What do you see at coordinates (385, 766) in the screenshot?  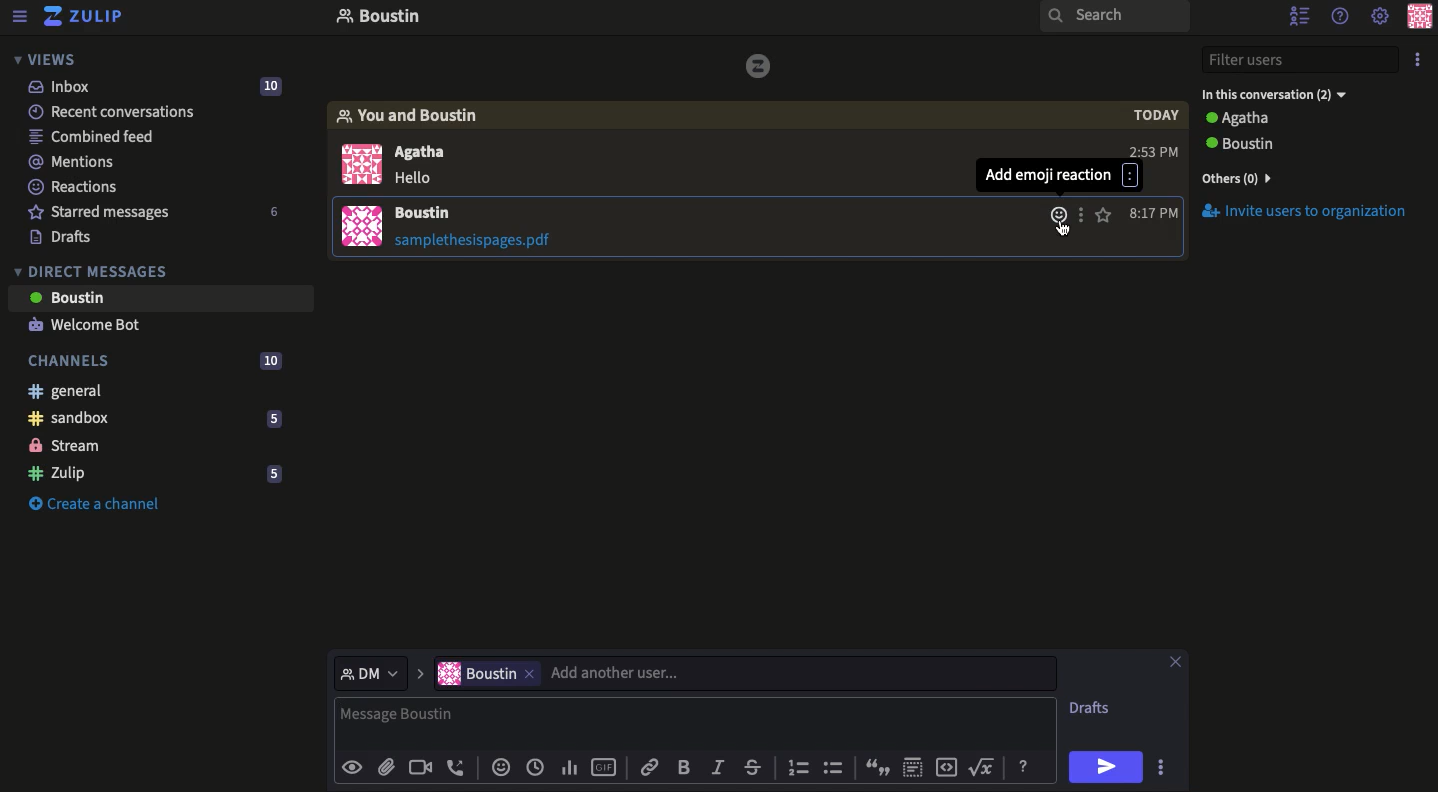 I see `Attachment` at bounding box center [385, 766].